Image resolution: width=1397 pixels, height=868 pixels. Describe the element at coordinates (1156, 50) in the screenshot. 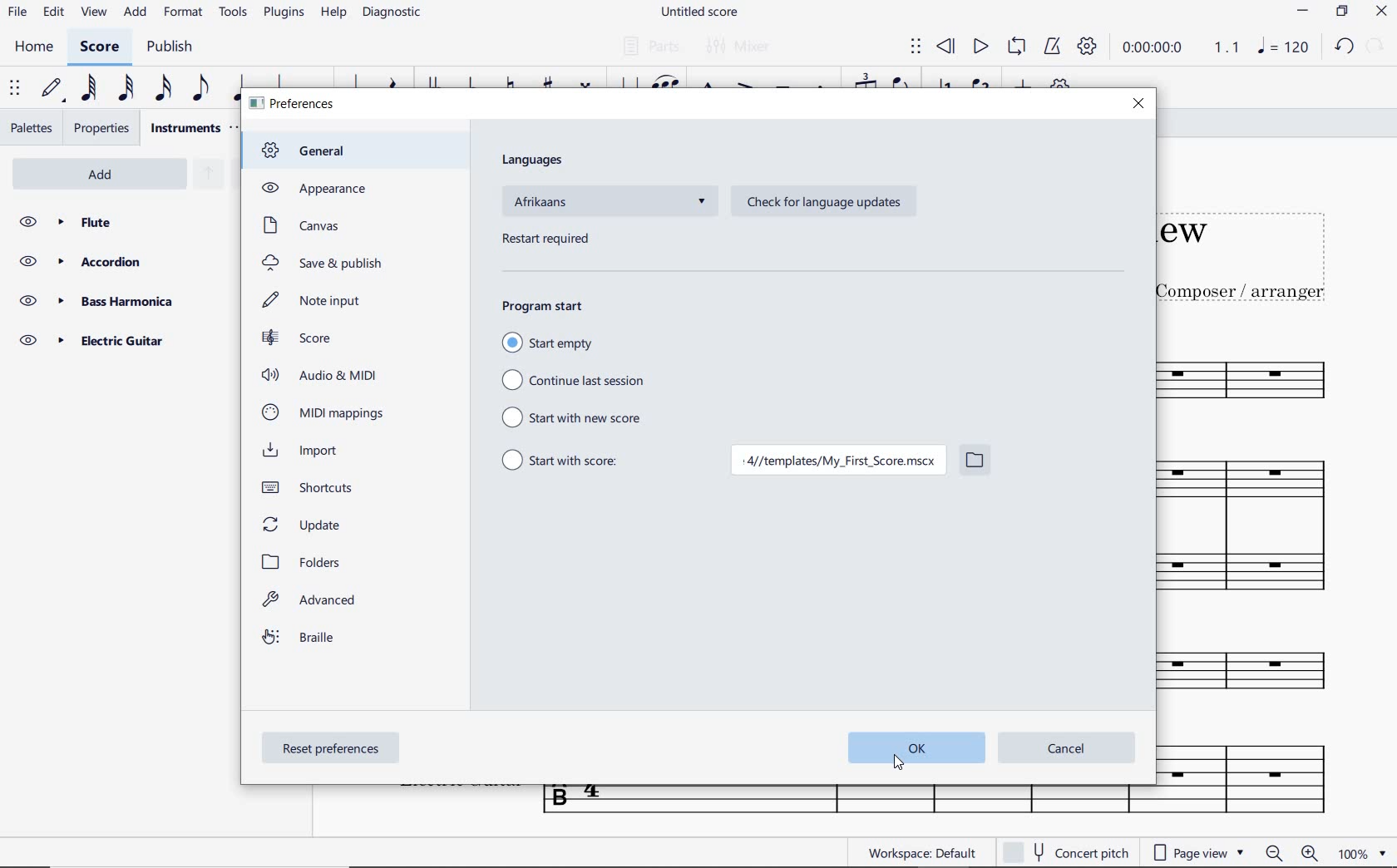

I see `playback time` at that location.